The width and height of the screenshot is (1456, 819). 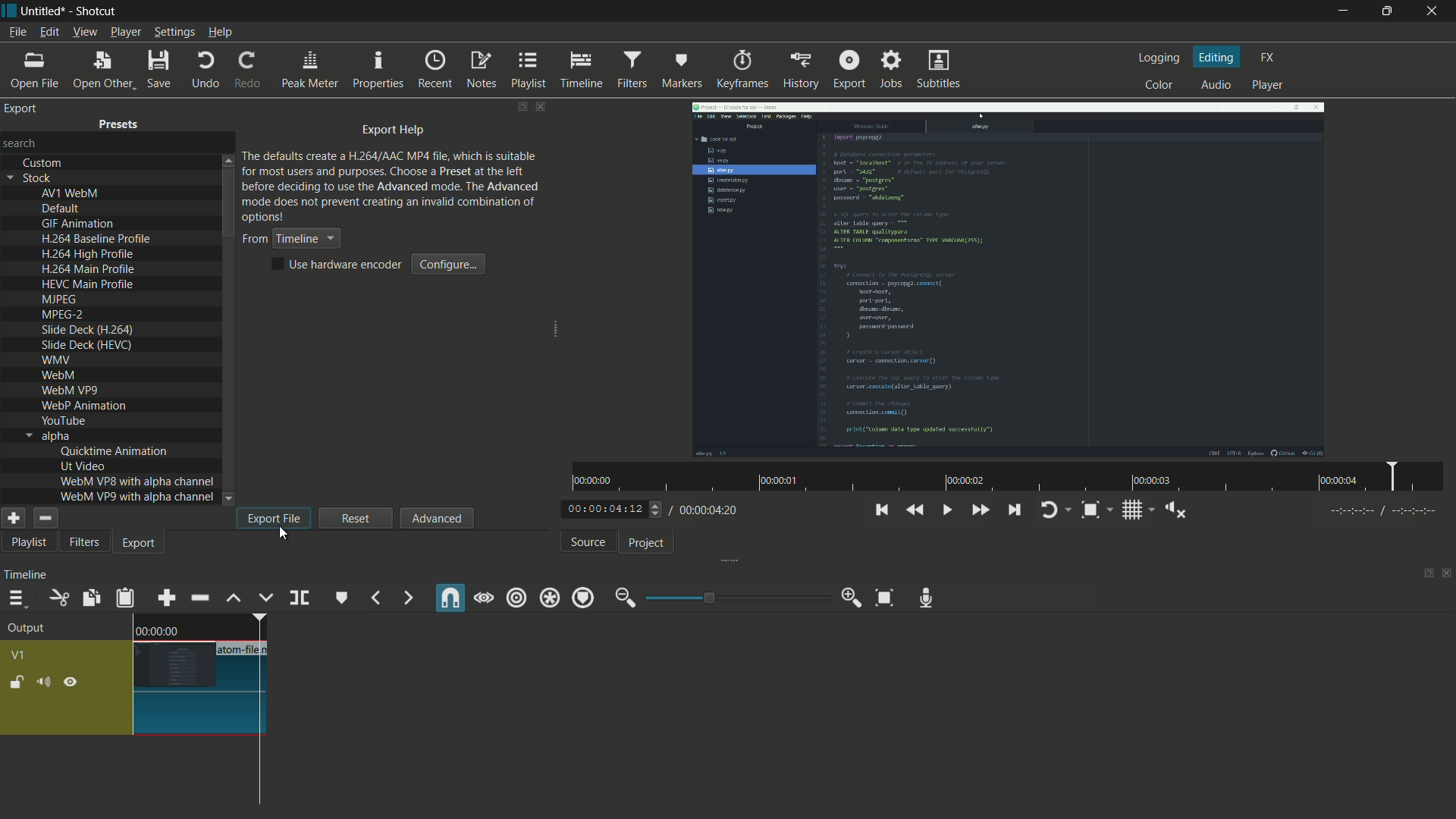 What do you see at coordinates (61, 209) in the screenshot?
I see `default` at bounding box center [61, 209].